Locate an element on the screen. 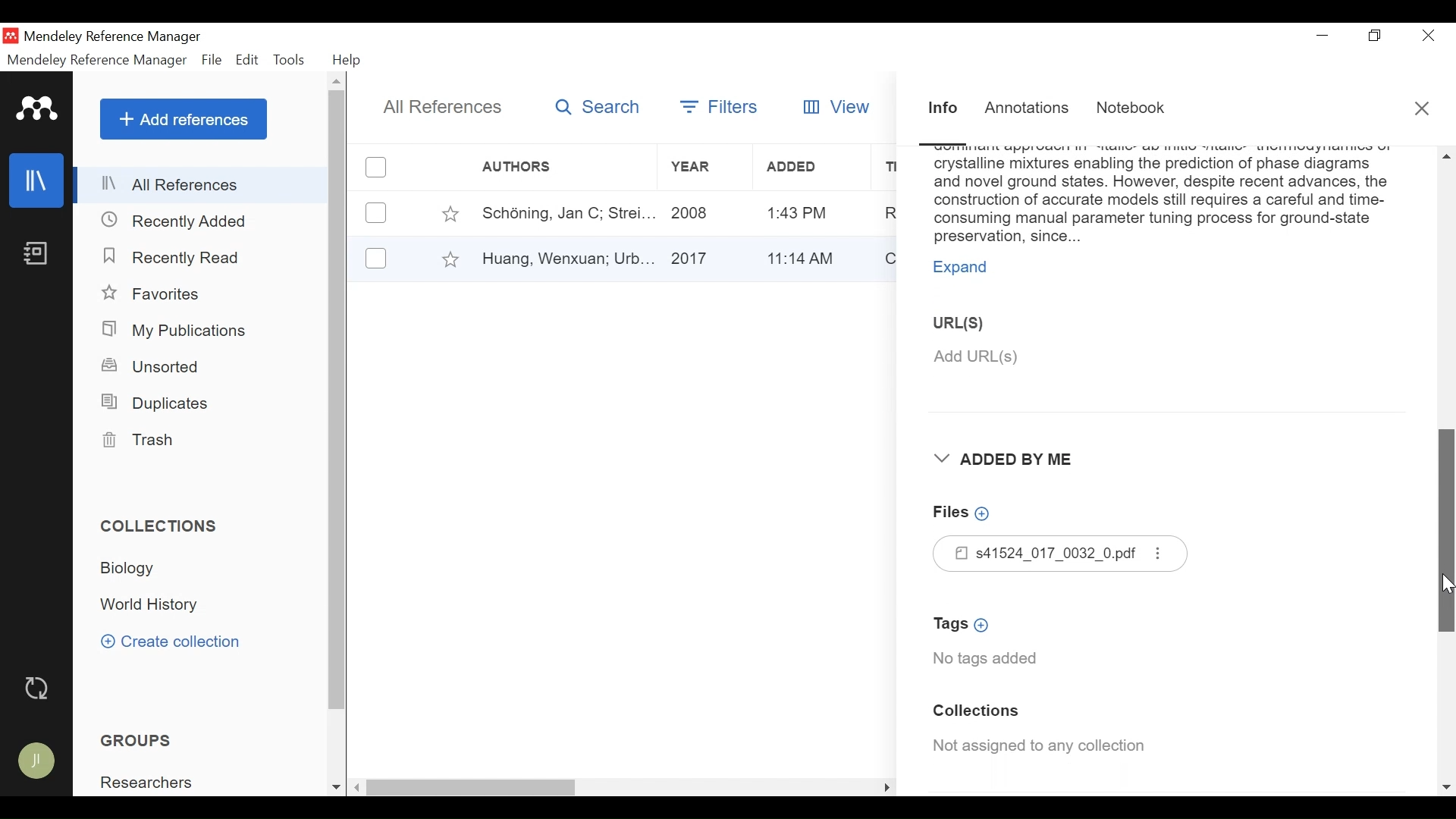 The height and width of the screenshot is (819, 1456). Author is located at coordinates (562, 212).